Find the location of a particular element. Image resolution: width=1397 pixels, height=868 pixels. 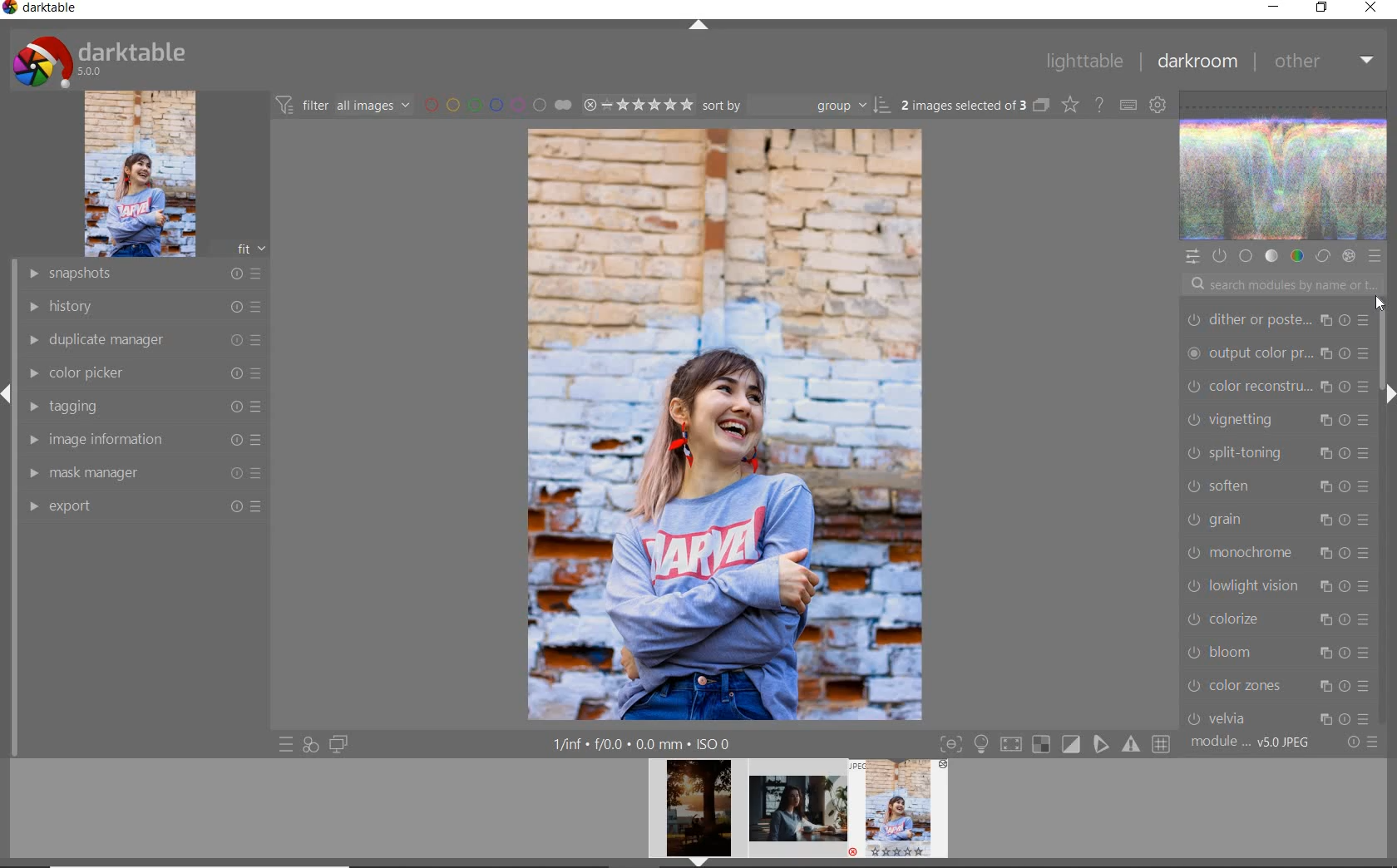

color picker is located at coordinates (143, 373).